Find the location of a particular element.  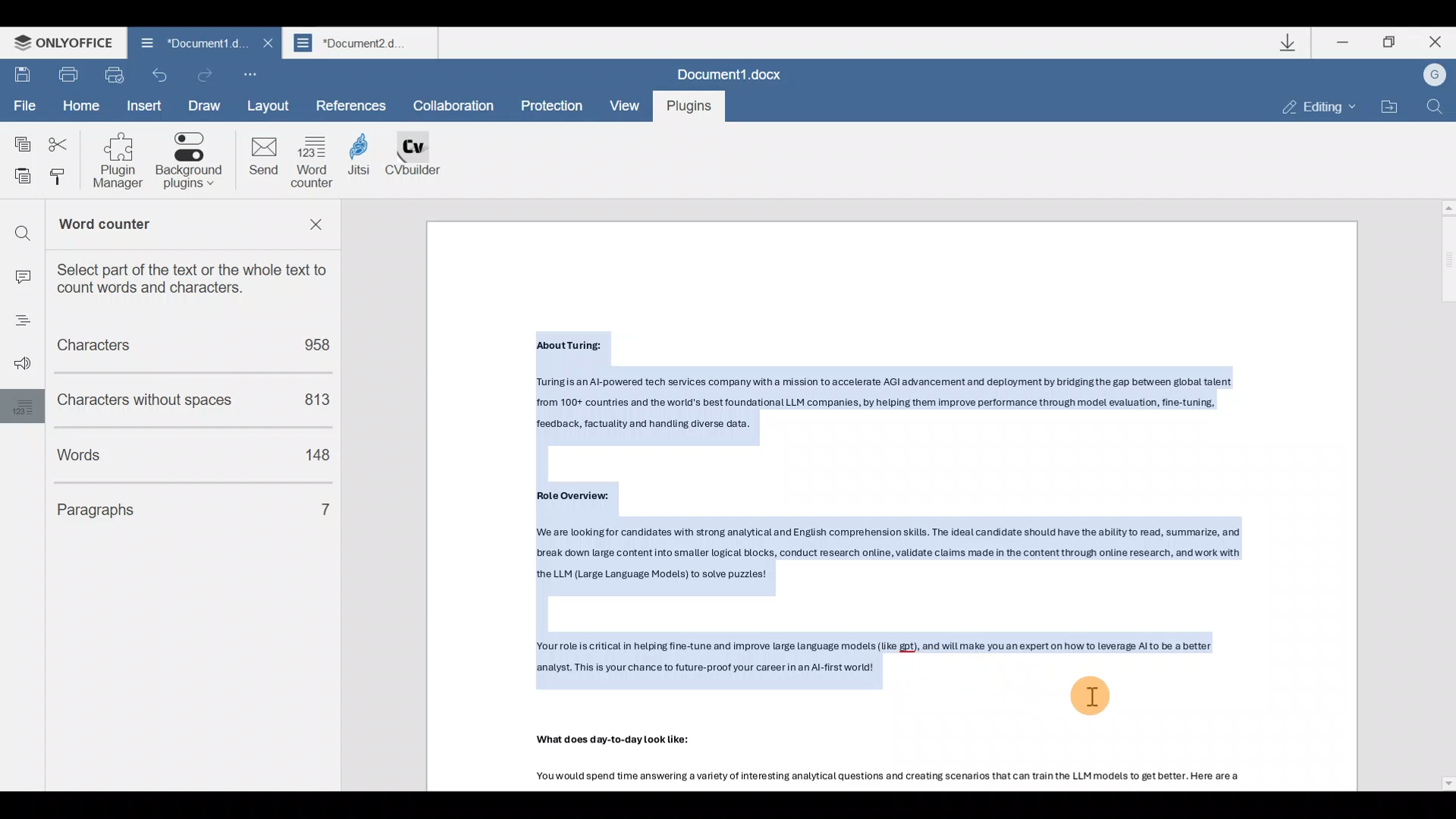

Document name is located at coordinates (195, 42).